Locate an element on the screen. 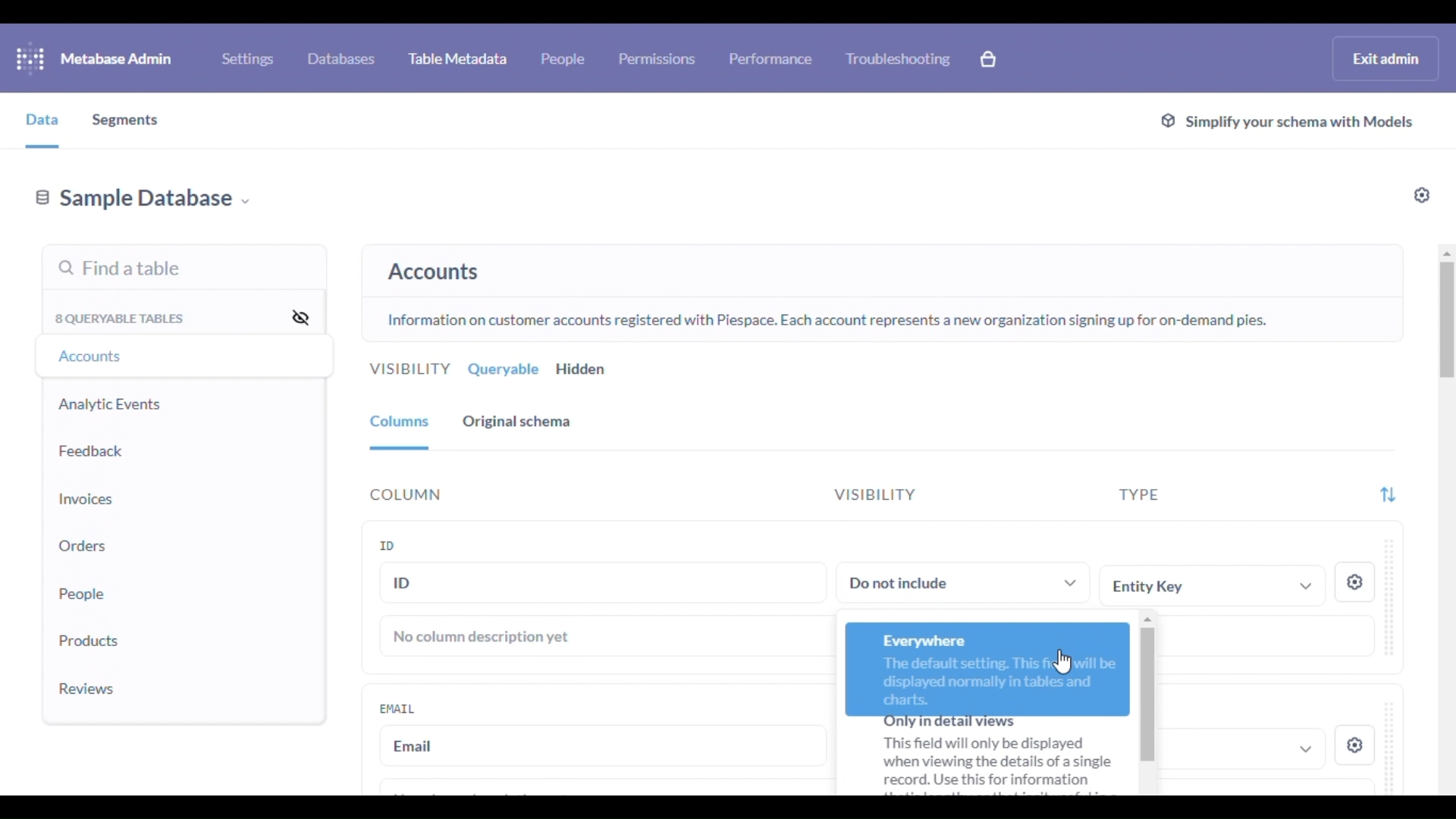  invoices is located at coordinates (86, 500).